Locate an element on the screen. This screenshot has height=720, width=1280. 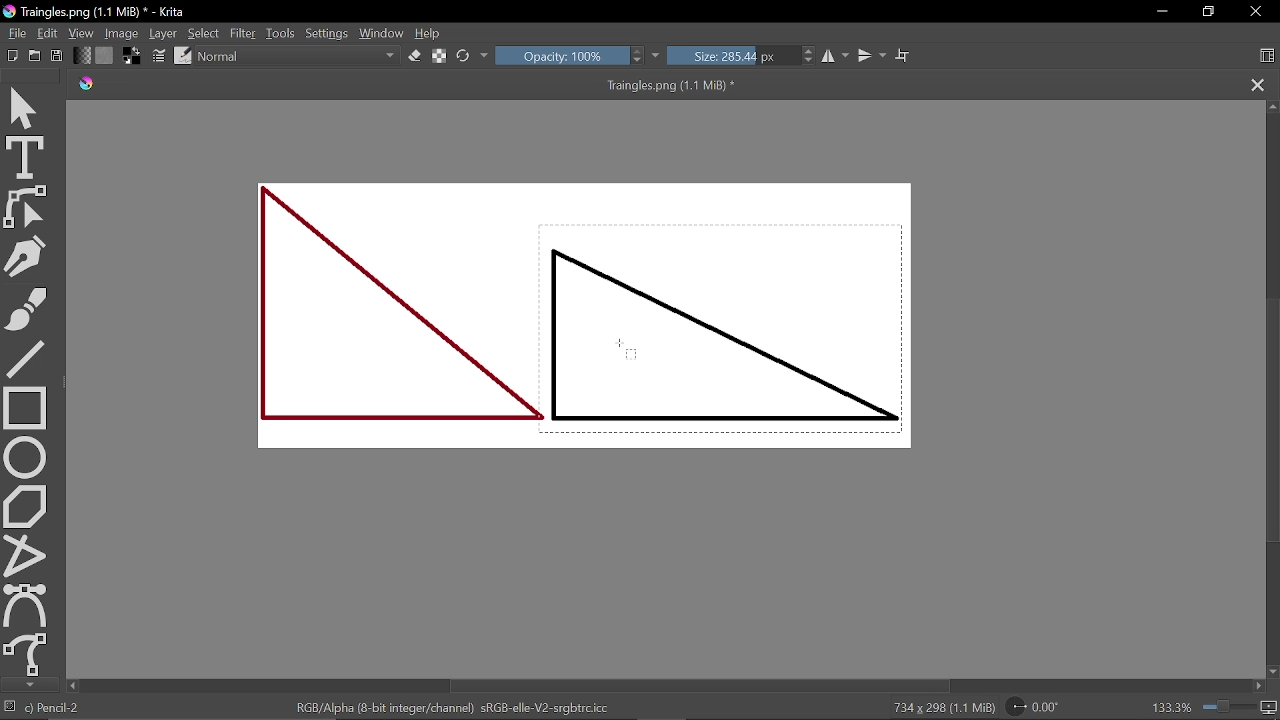
Layer is located at coordinates (164, 33).